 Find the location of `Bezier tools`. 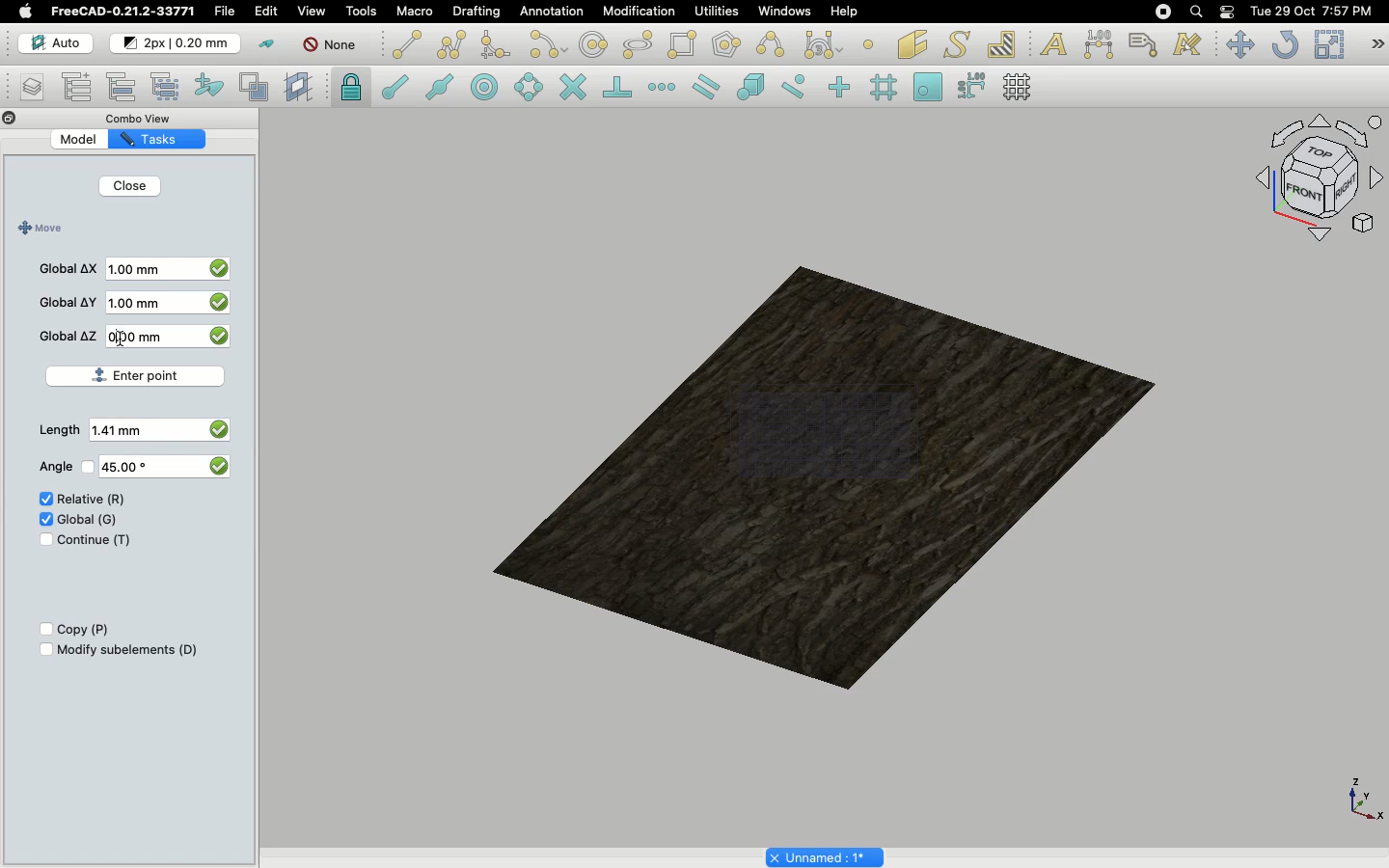

Bezier tools is located at coordinates (826, 44).